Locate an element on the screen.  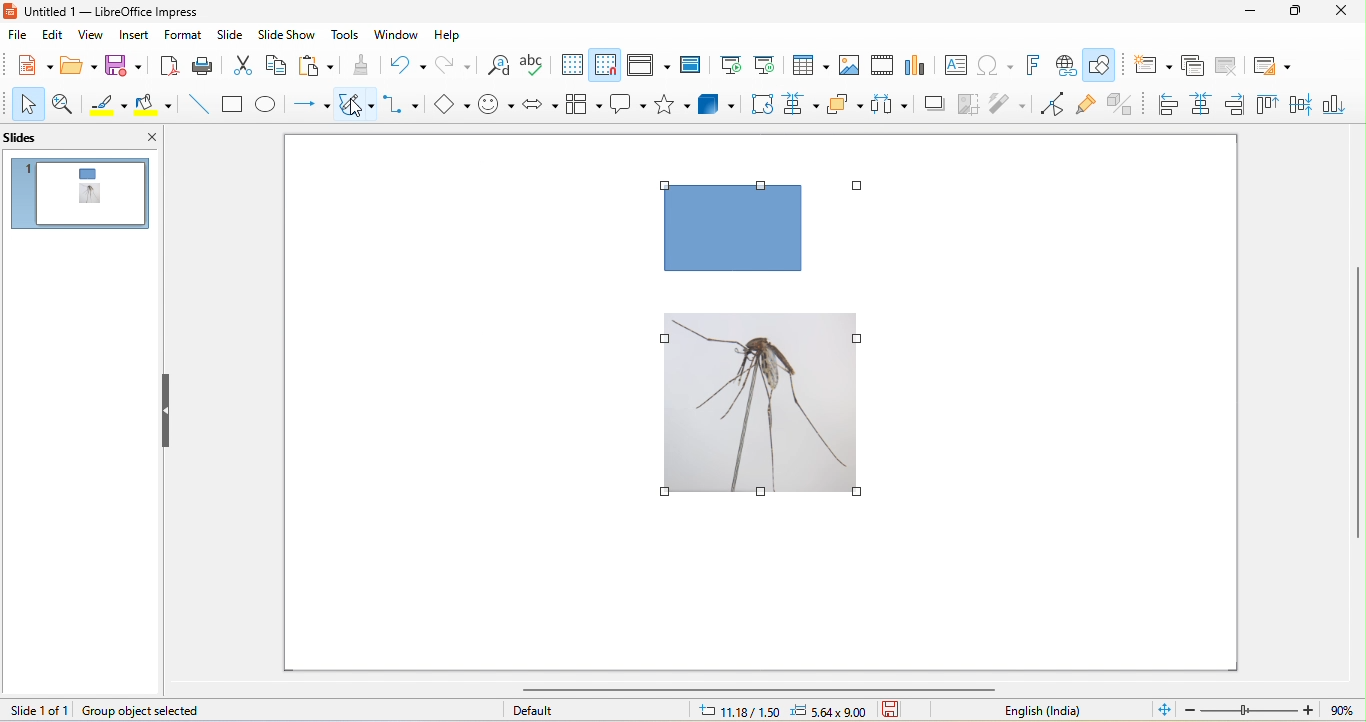
hyperlink is located at coordinates (1069, 65).